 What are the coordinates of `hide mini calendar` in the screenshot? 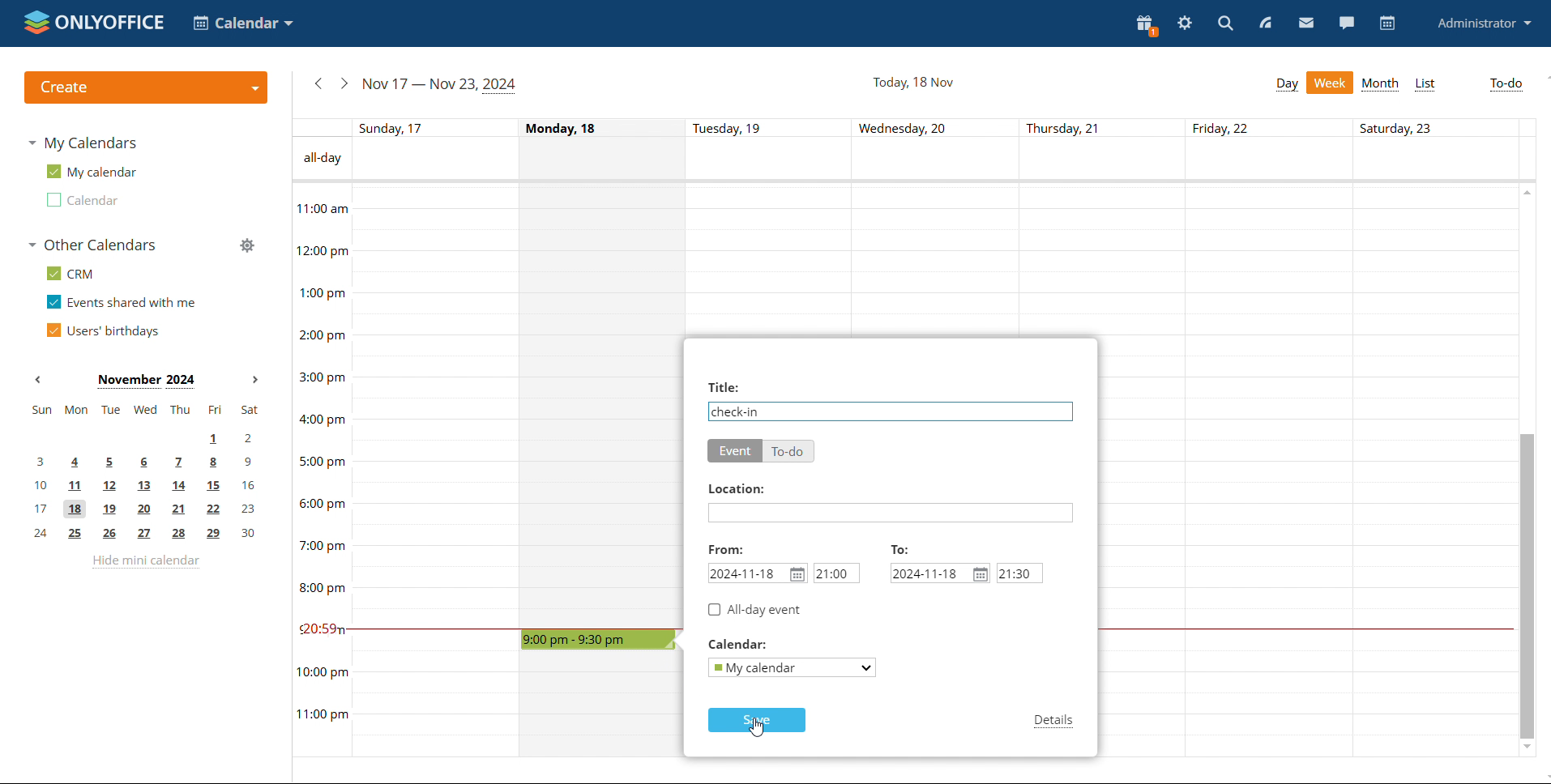 It's located at (145, 562).